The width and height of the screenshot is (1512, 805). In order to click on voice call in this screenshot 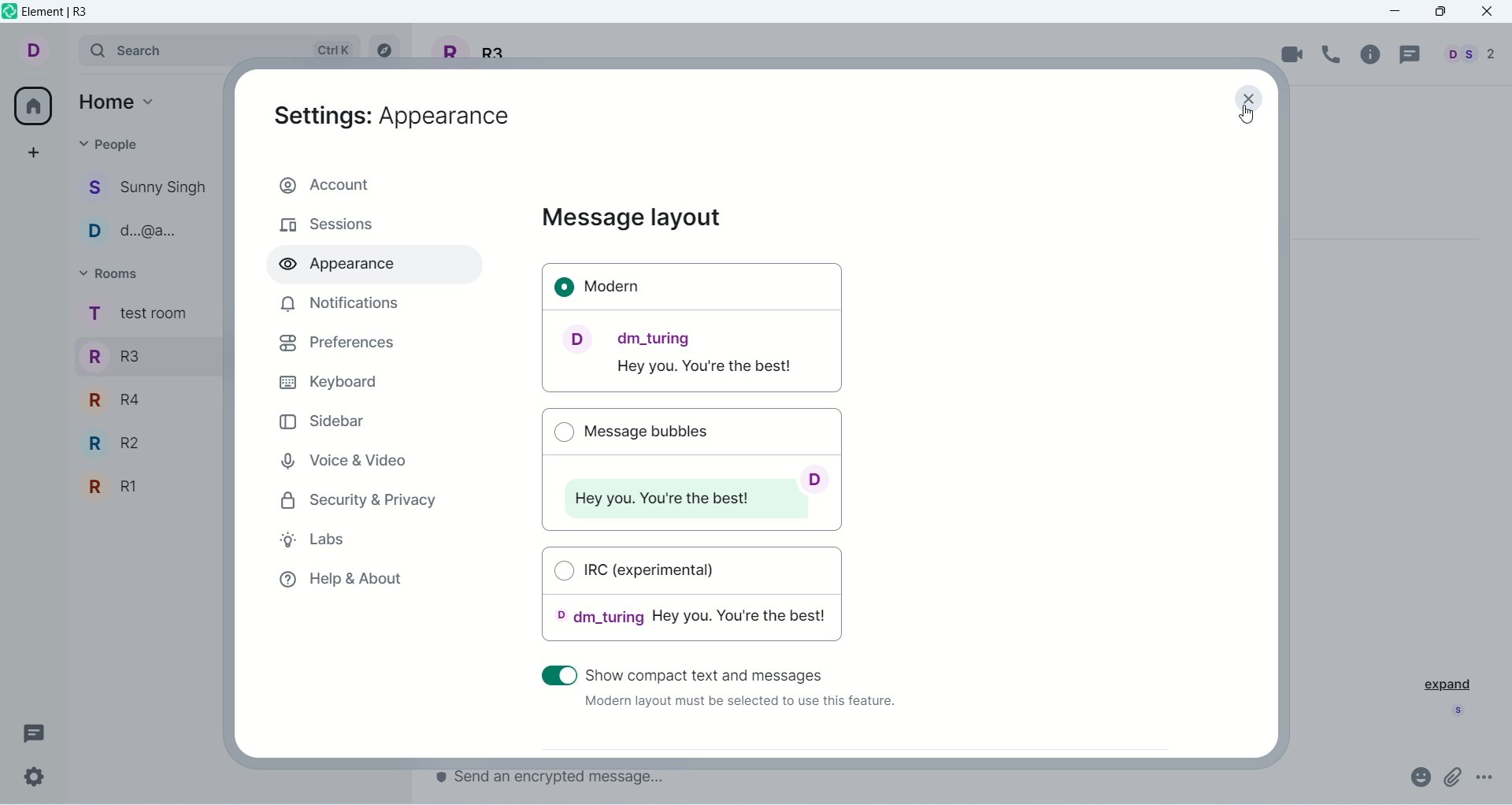, I will do `click(1335, 54)`.